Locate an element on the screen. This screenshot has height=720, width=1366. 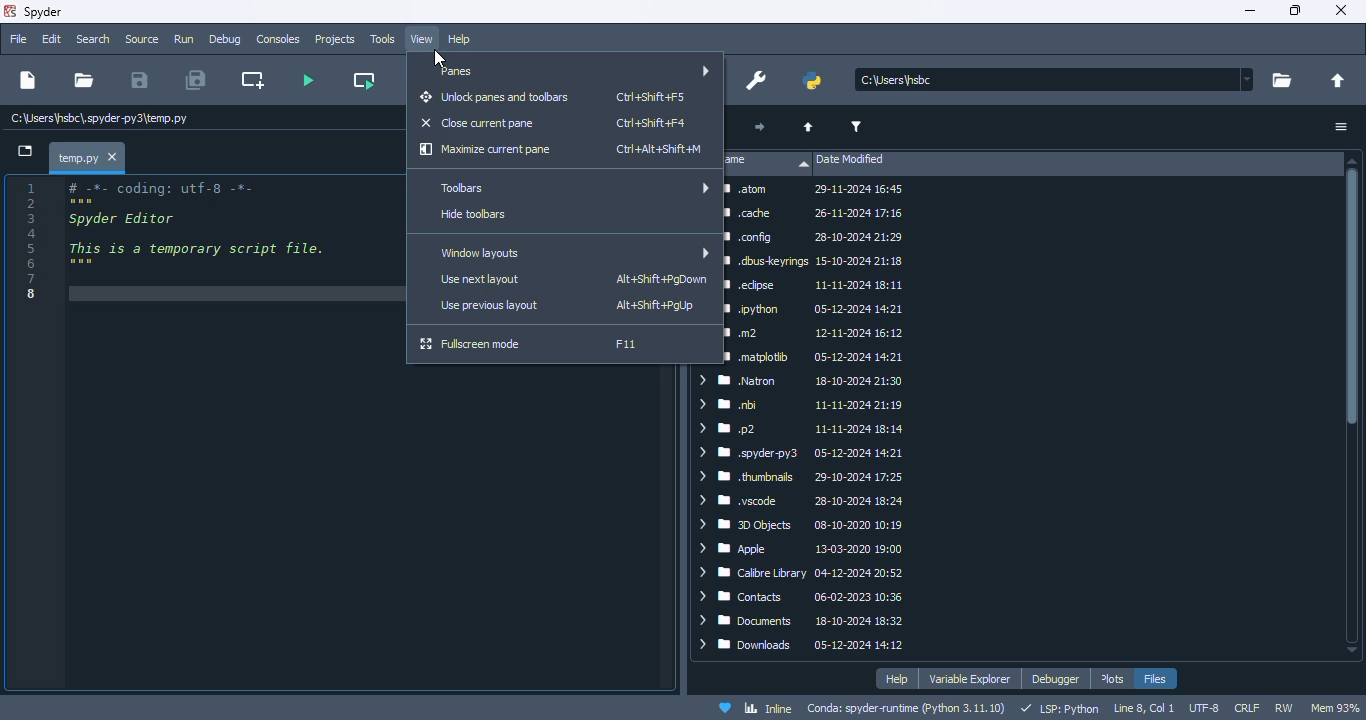
help is located at coordinates (459, 40).